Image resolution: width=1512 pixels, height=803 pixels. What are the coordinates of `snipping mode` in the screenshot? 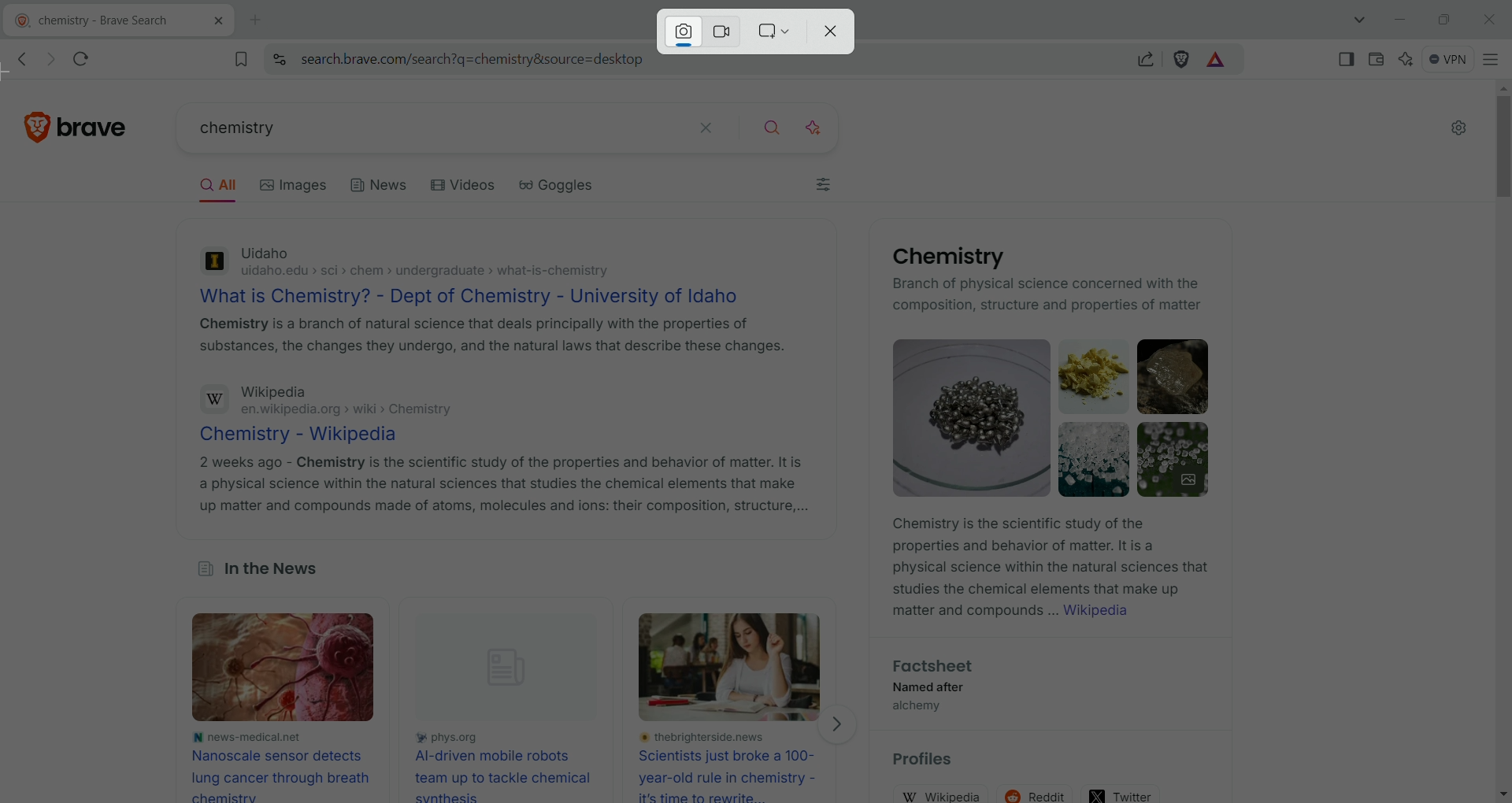 It's located at (774, 31).